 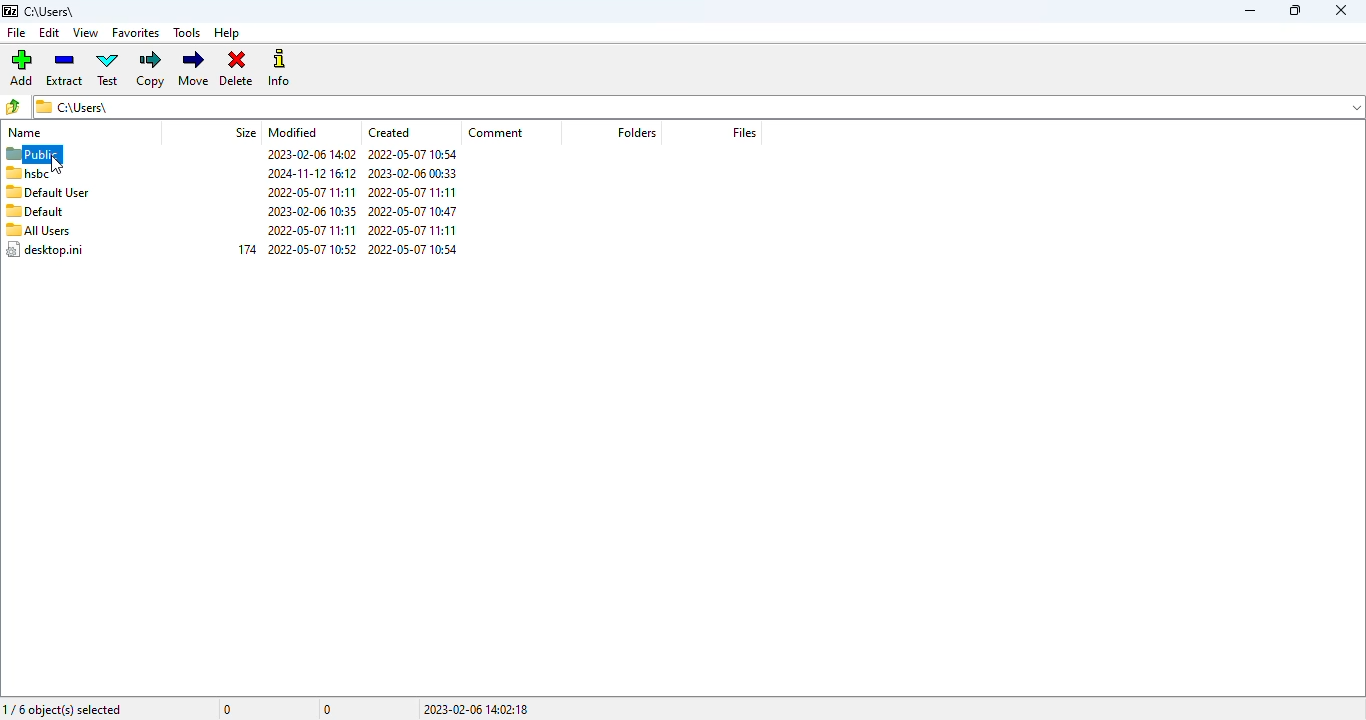 What do you see at coordinates (195, 68) in the screenshot?
I see `move` at bounding box center [195, 68].